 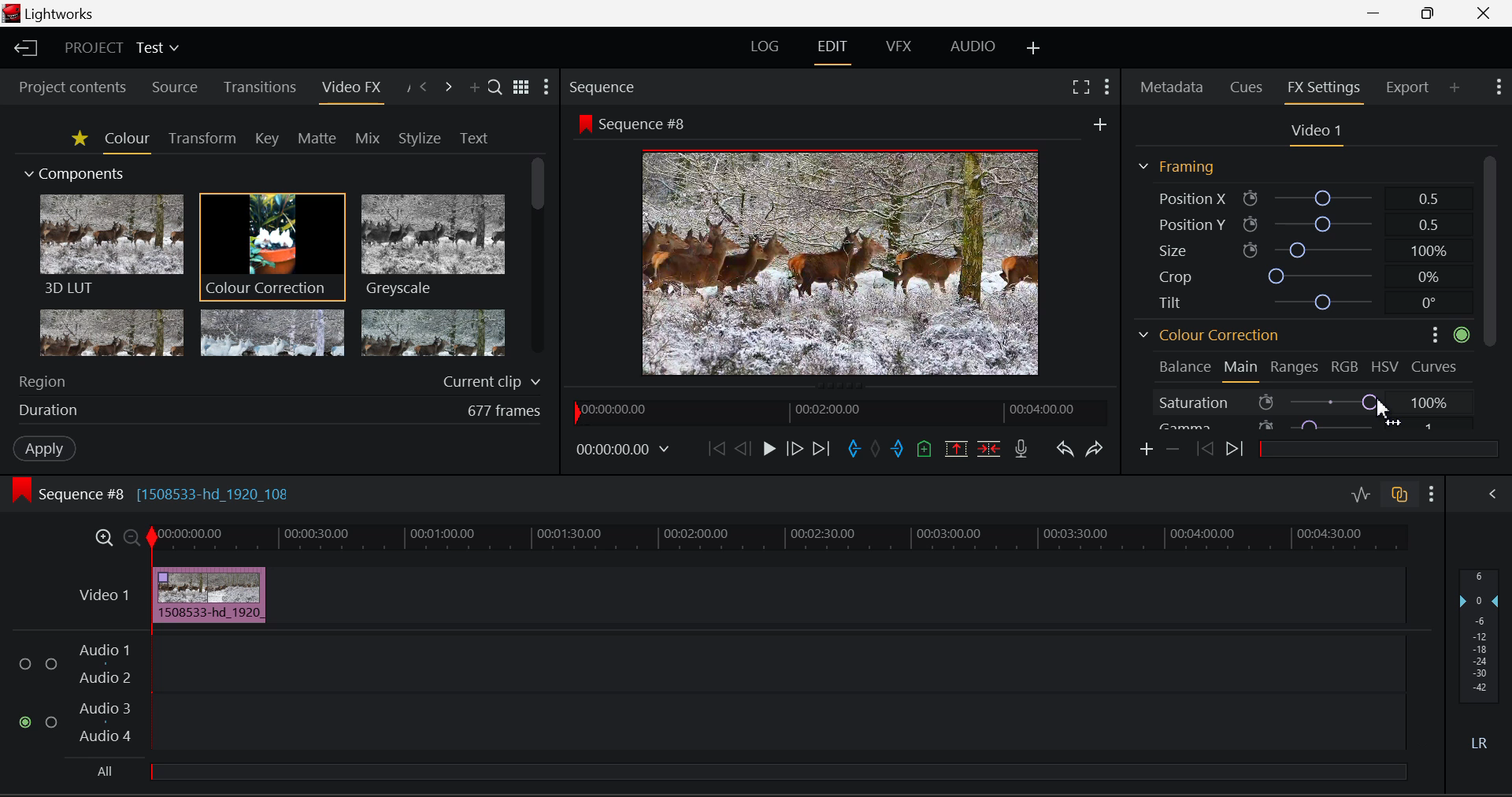 I want to click on Add keyframe, so click(x=1147, y=450).